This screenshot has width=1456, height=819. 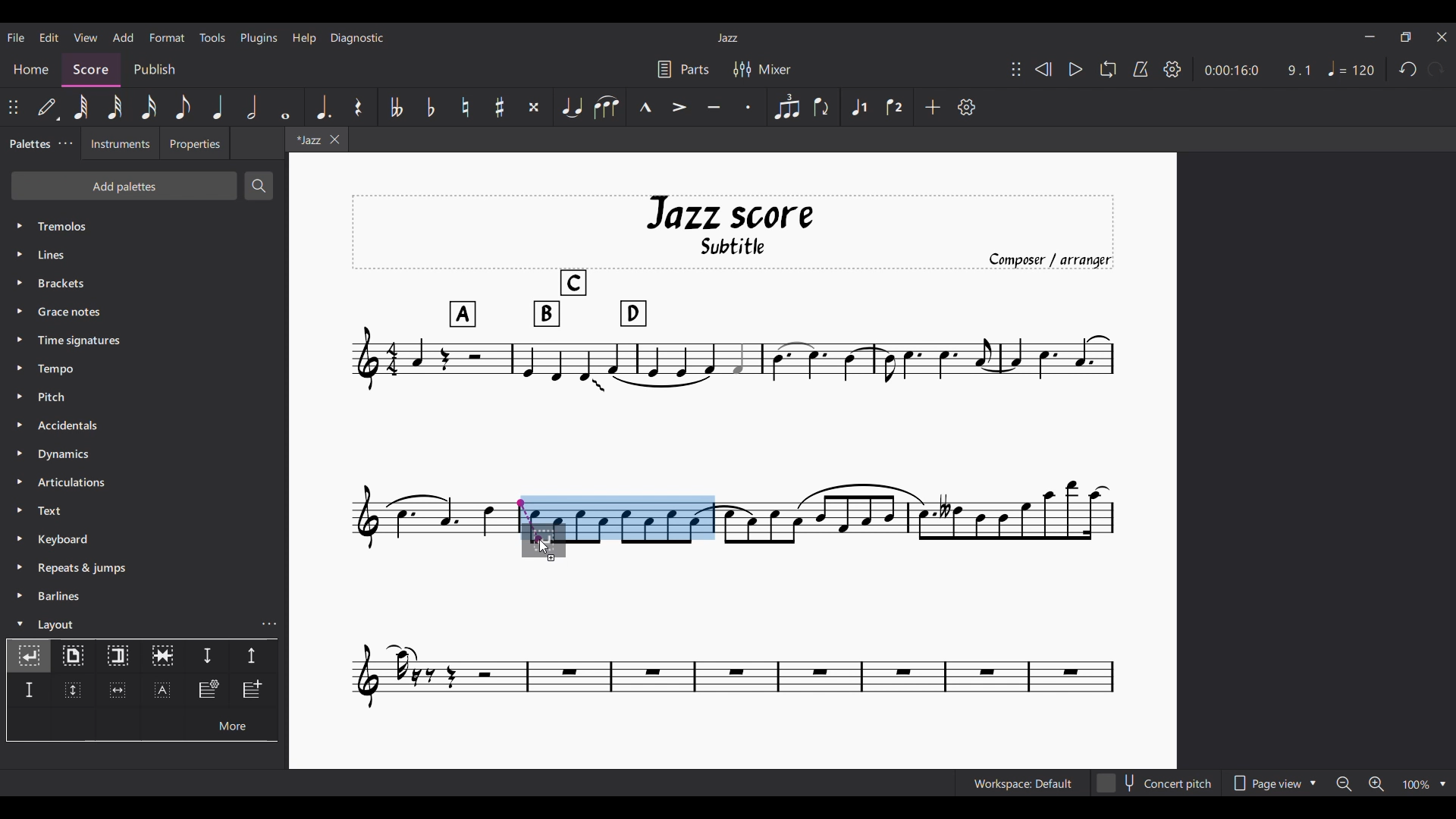 What do you see at coordinates (727, 38) in the screenshot?
I see `Jazz` at bounding box center [727, 38].